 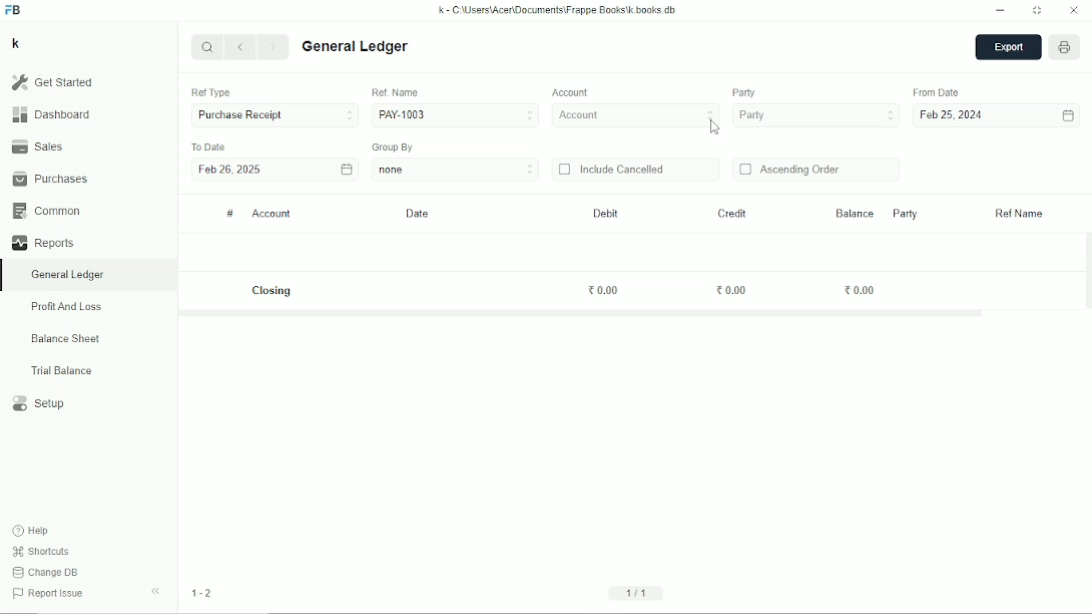 I want to click on Closing, so click(x=274, y=291).